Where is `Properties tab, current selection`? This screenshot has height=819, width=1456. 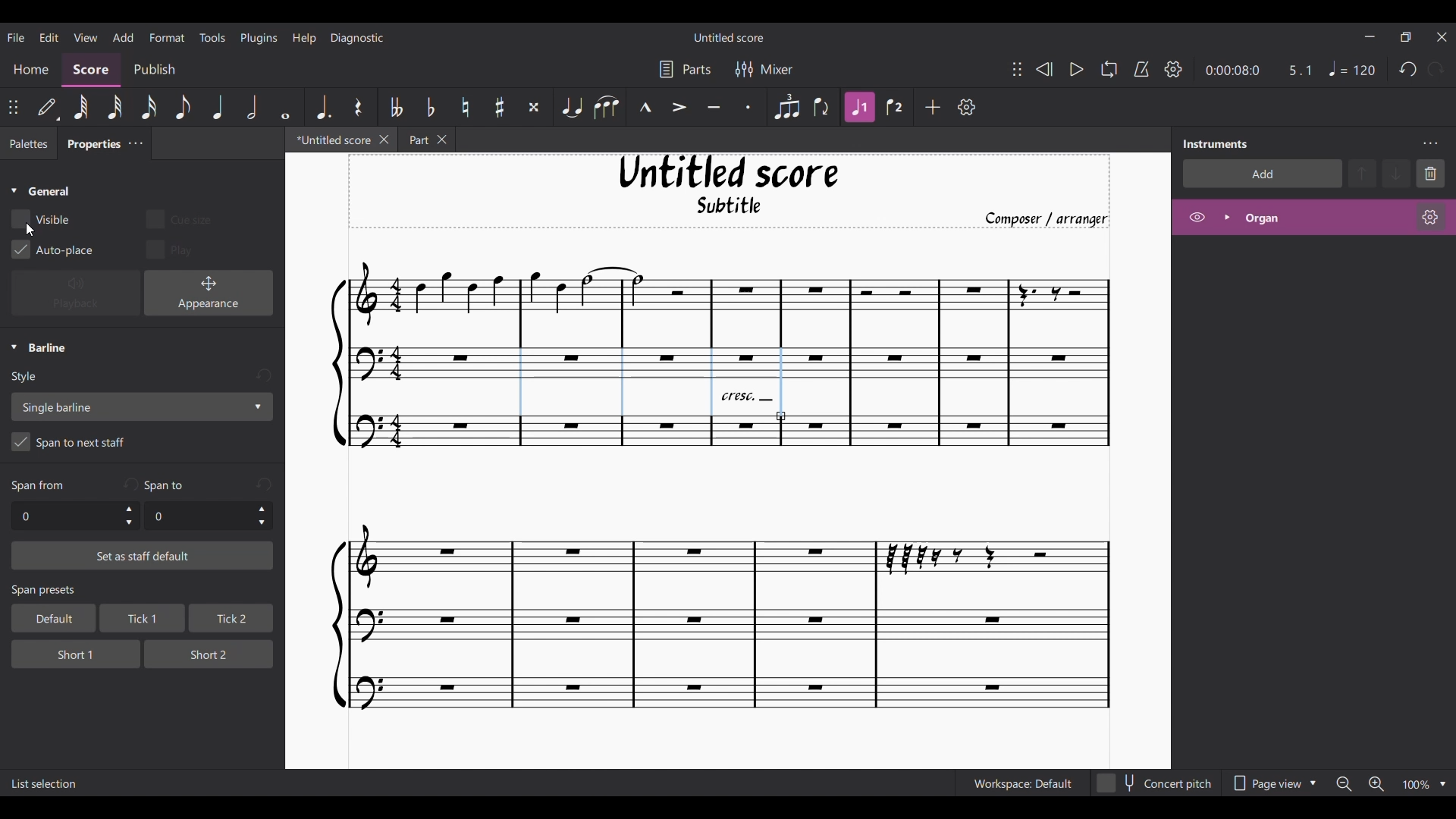 Properties tab, current selection is located at coordinates (89, 146).